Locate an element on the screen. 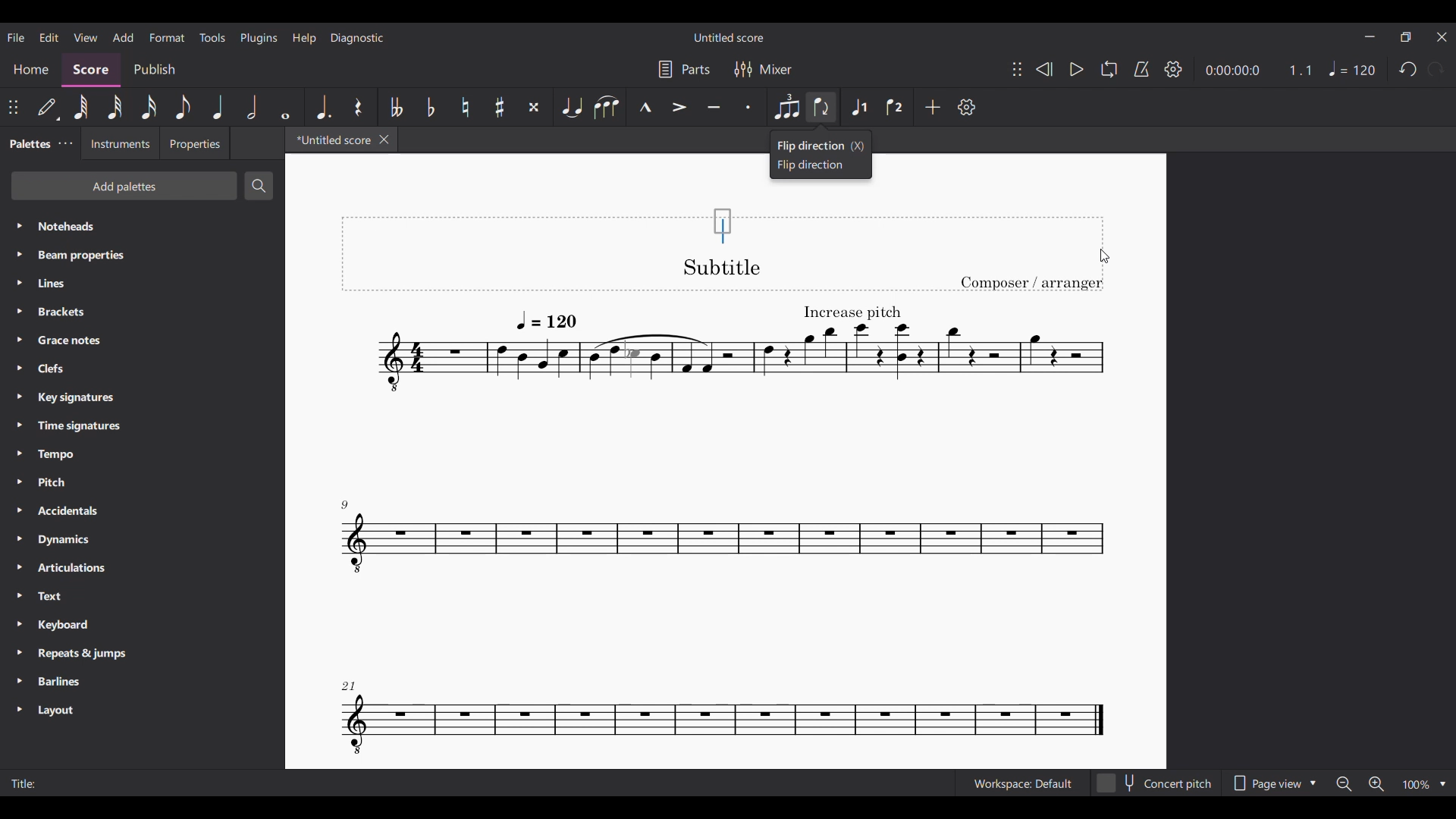 The height and width of the screenshot is (819, 1456). Edit menu is located at coordinates (49, 37).